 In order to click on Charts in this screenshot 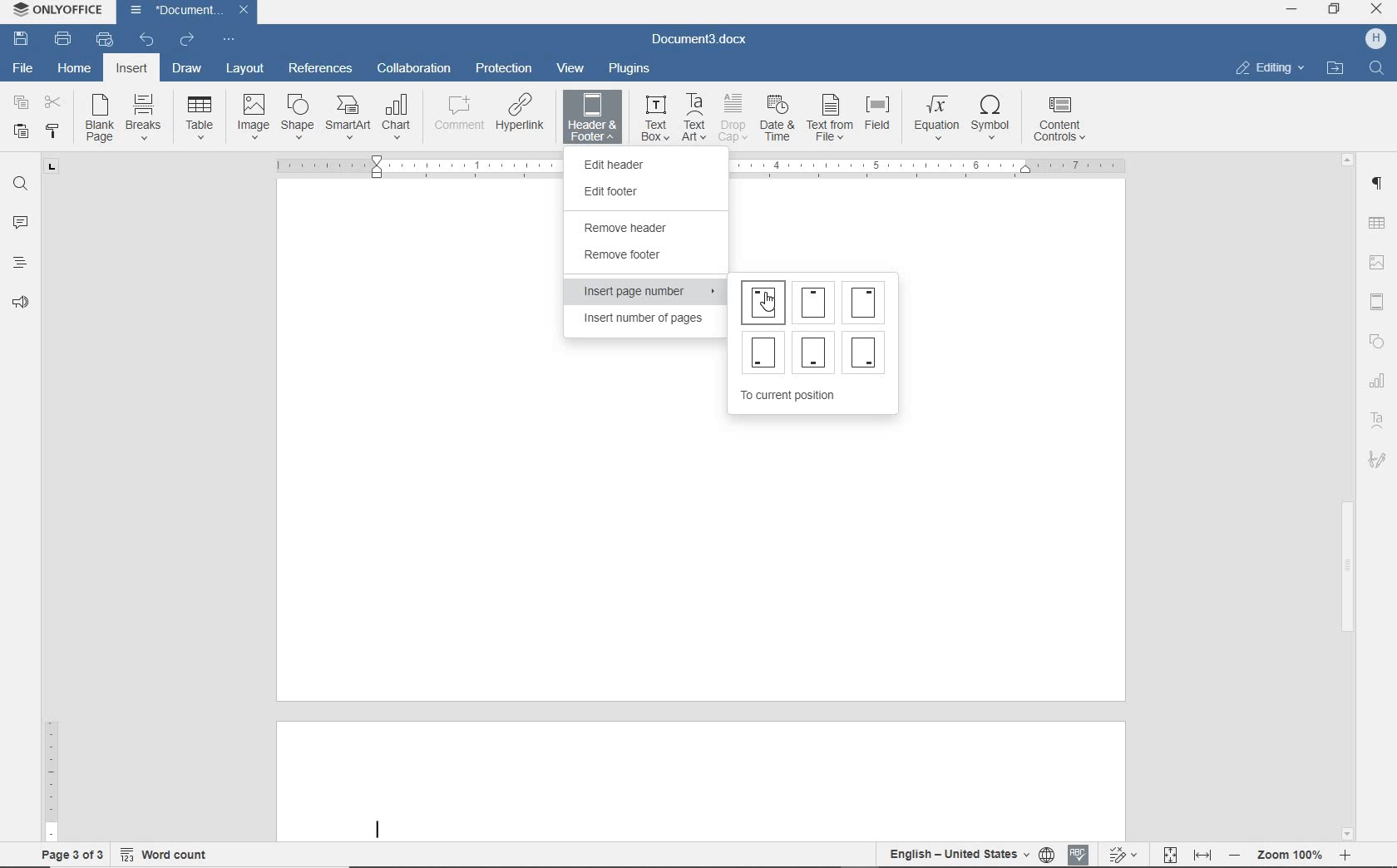, I will do `click(1376, 377)`.